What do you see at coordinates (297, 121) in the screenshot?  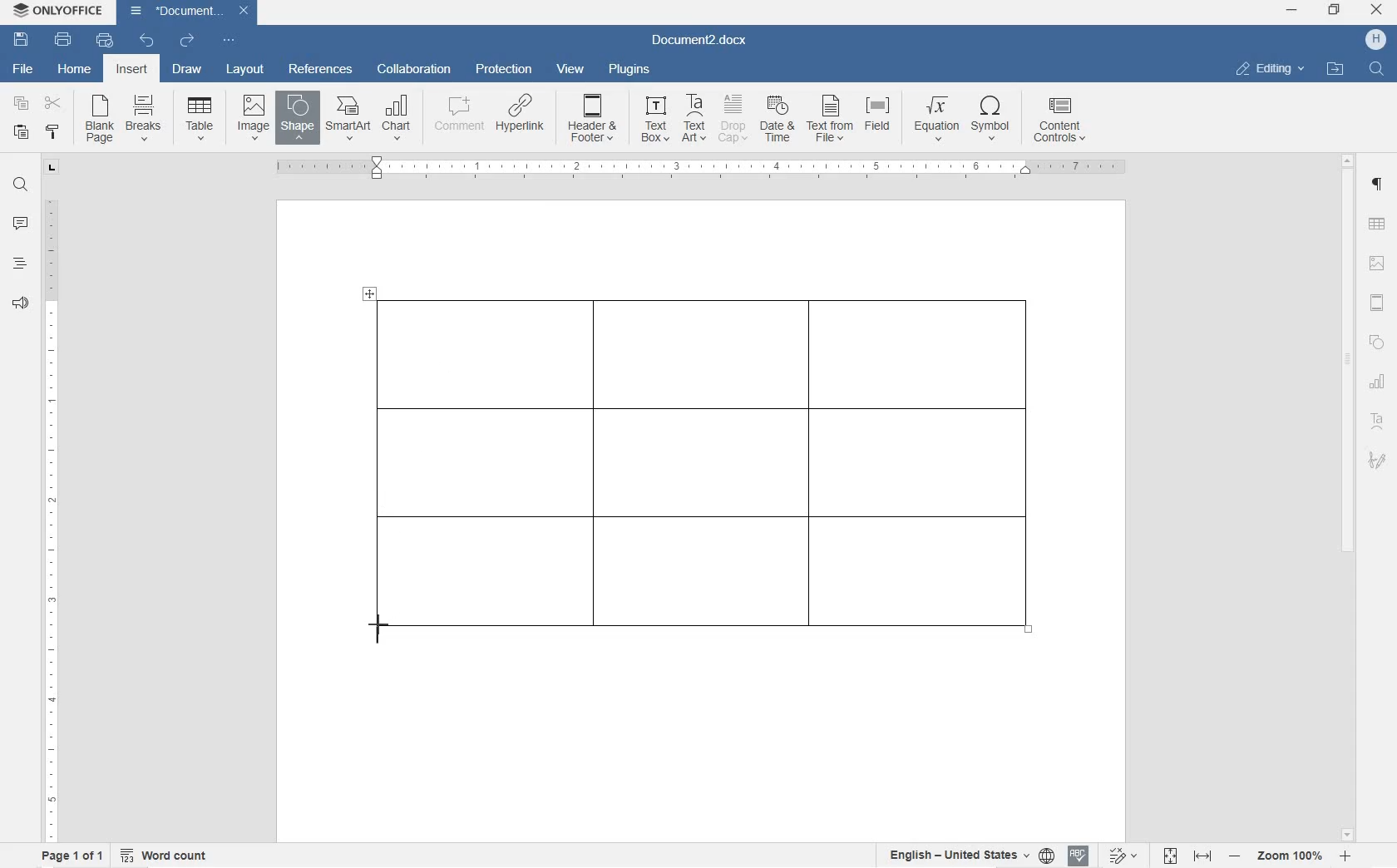 I see `INSERT SHAPE` at bounding box center [297, 121].